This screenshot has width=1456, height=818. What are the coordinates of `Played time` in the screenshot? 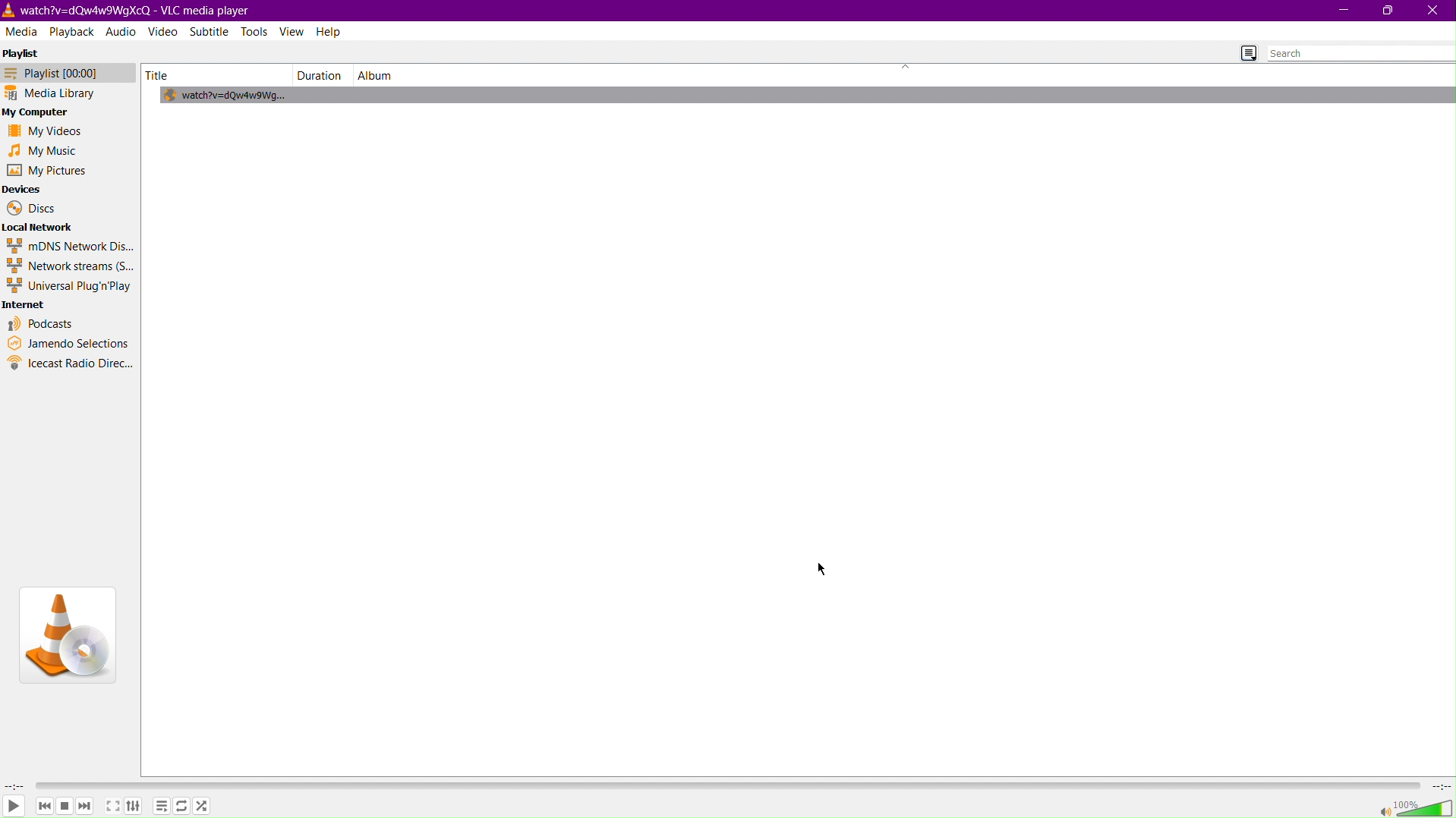 It's located at (14, 786).